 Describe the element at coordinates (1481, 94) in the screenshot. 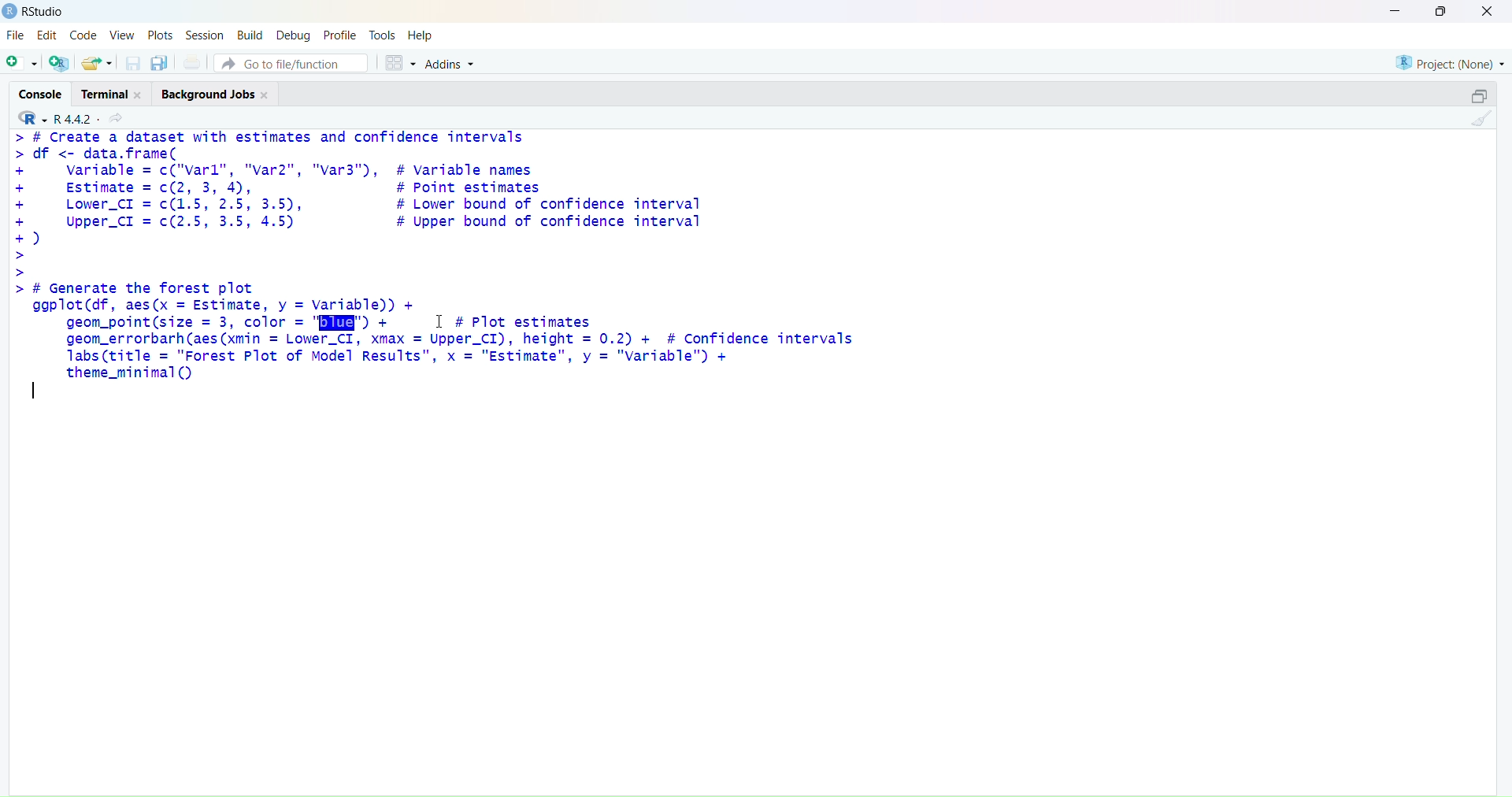

I see `maximize` at that location.